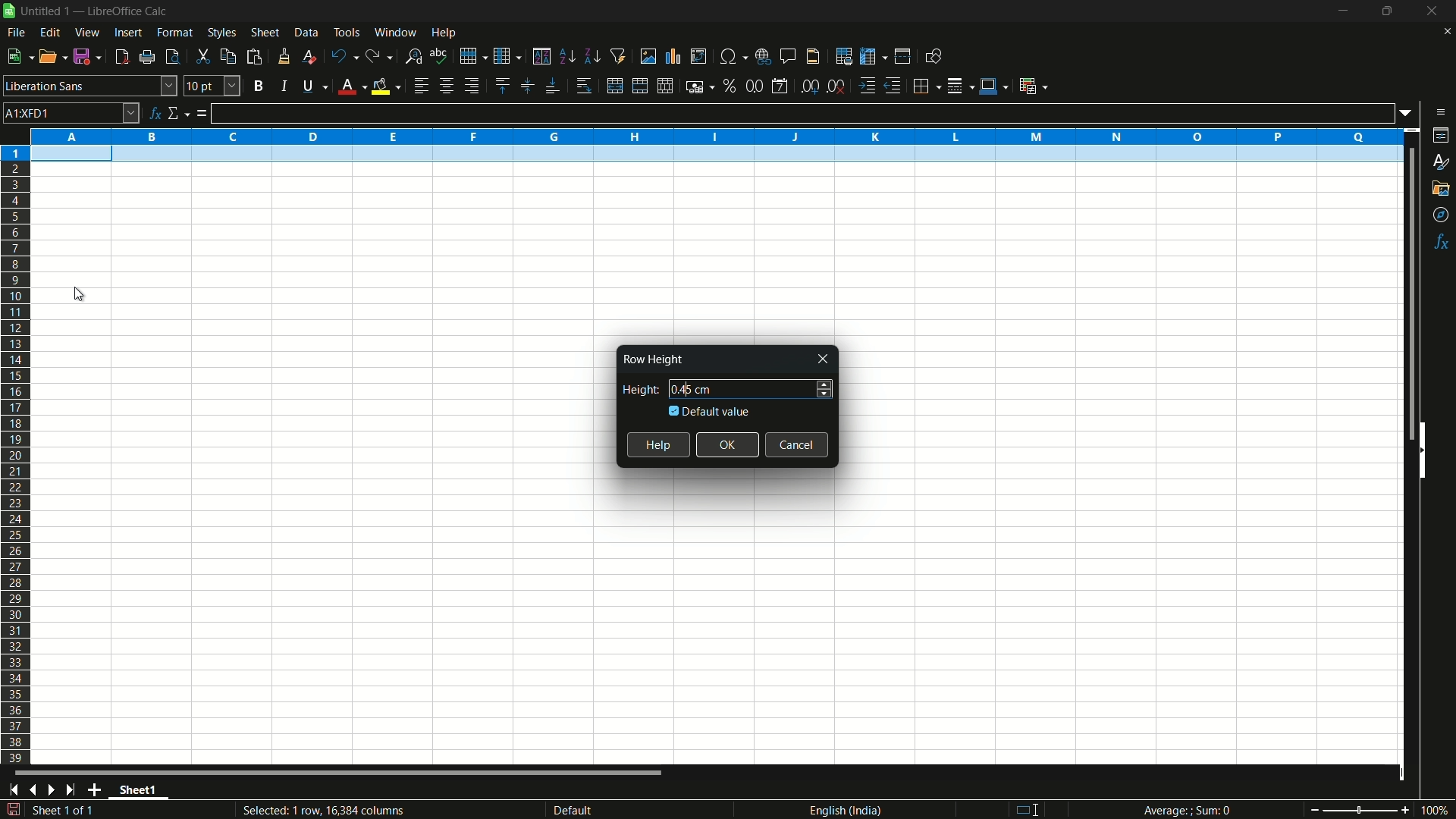  Describe the element at coordinates (75, 790) in the screenshot. I see `scroll to last sheet` at that location.